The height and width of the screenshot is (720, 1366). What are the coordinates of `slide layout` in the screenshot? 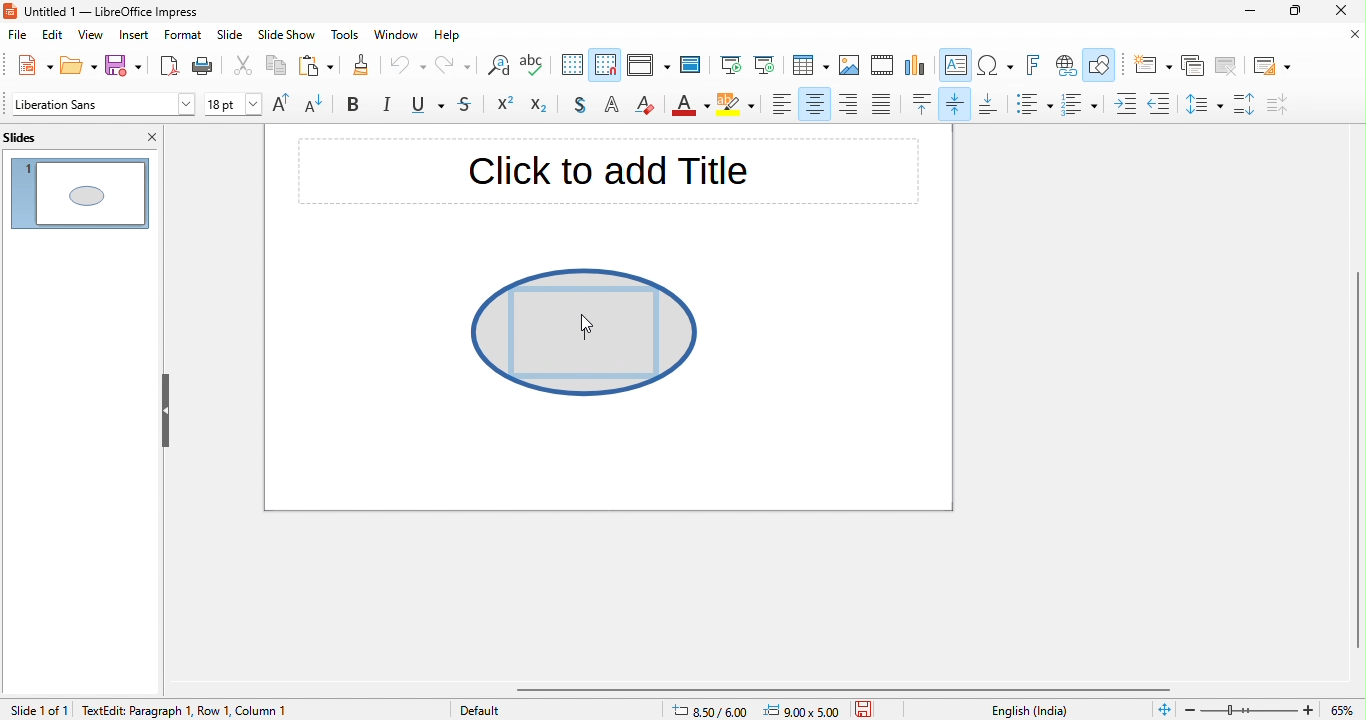 It's located at (1269, 64).